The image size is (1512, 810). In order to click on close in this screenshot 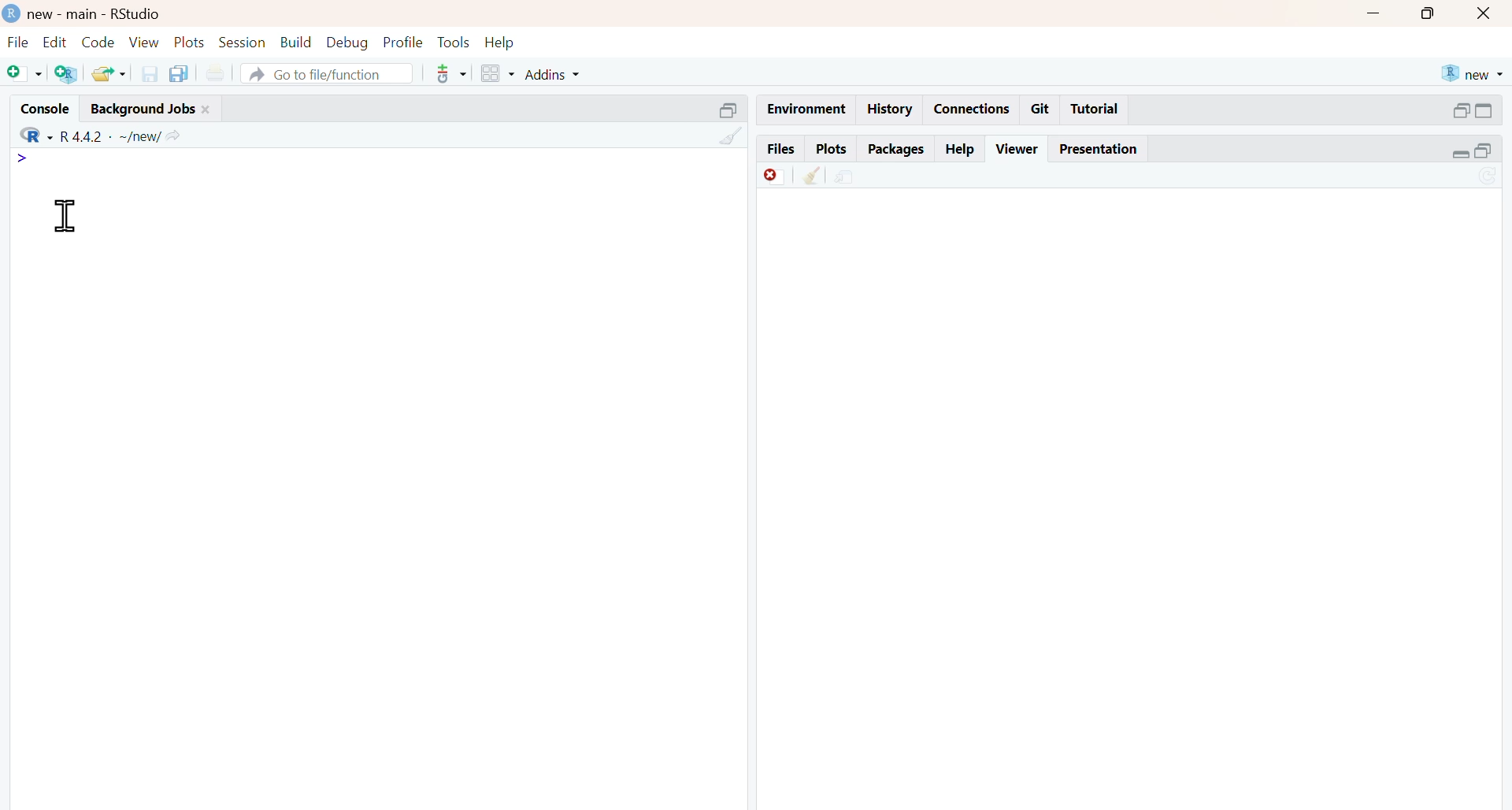, I will do `click(1484, 13)`.